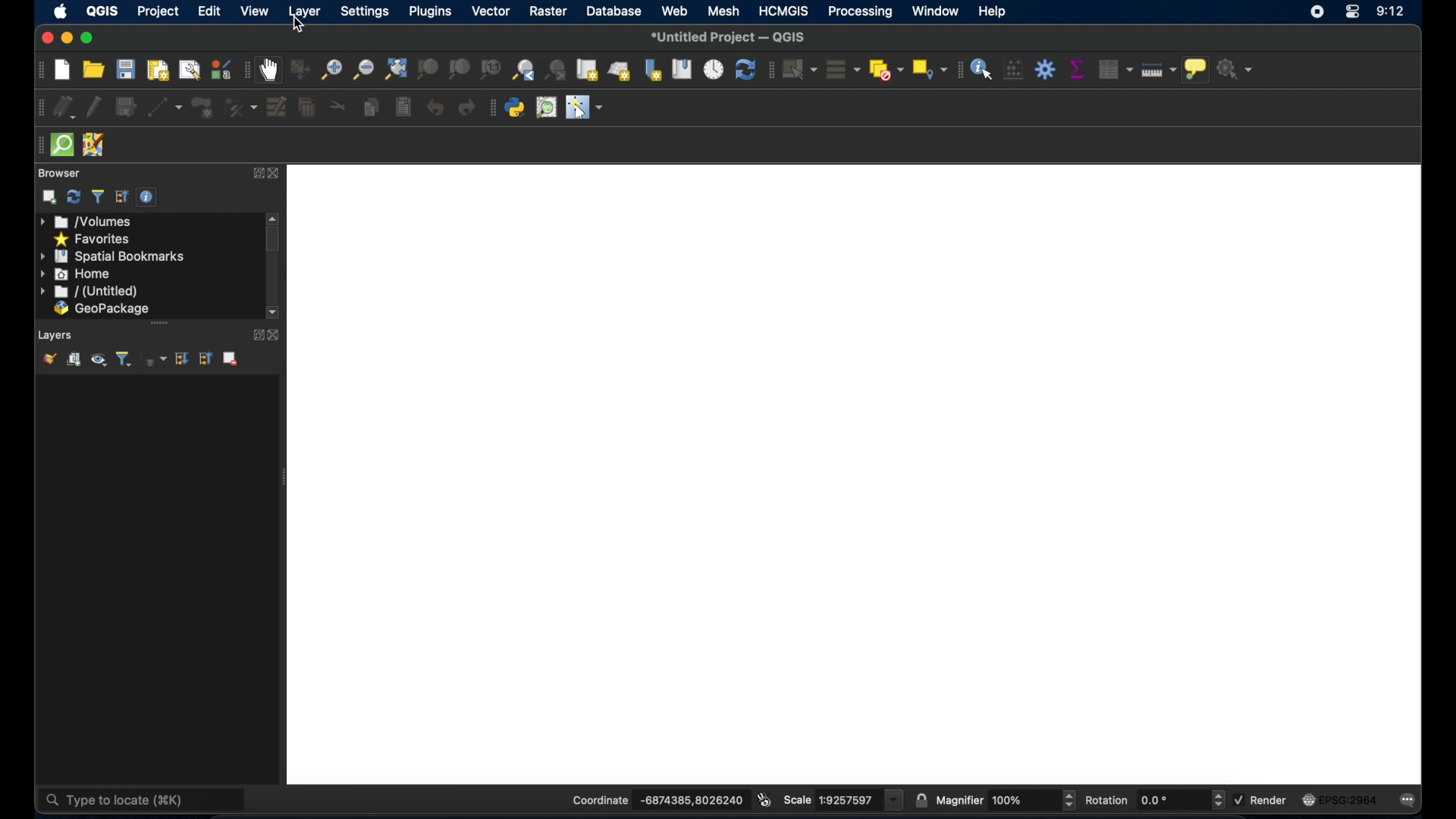 The height and width of the screenshot is (819, 1456). What do you see at coordinates (586, 108) in the screenshot?
I see `switches mouse to a configurable pointer` at bounding box center [586, 108].